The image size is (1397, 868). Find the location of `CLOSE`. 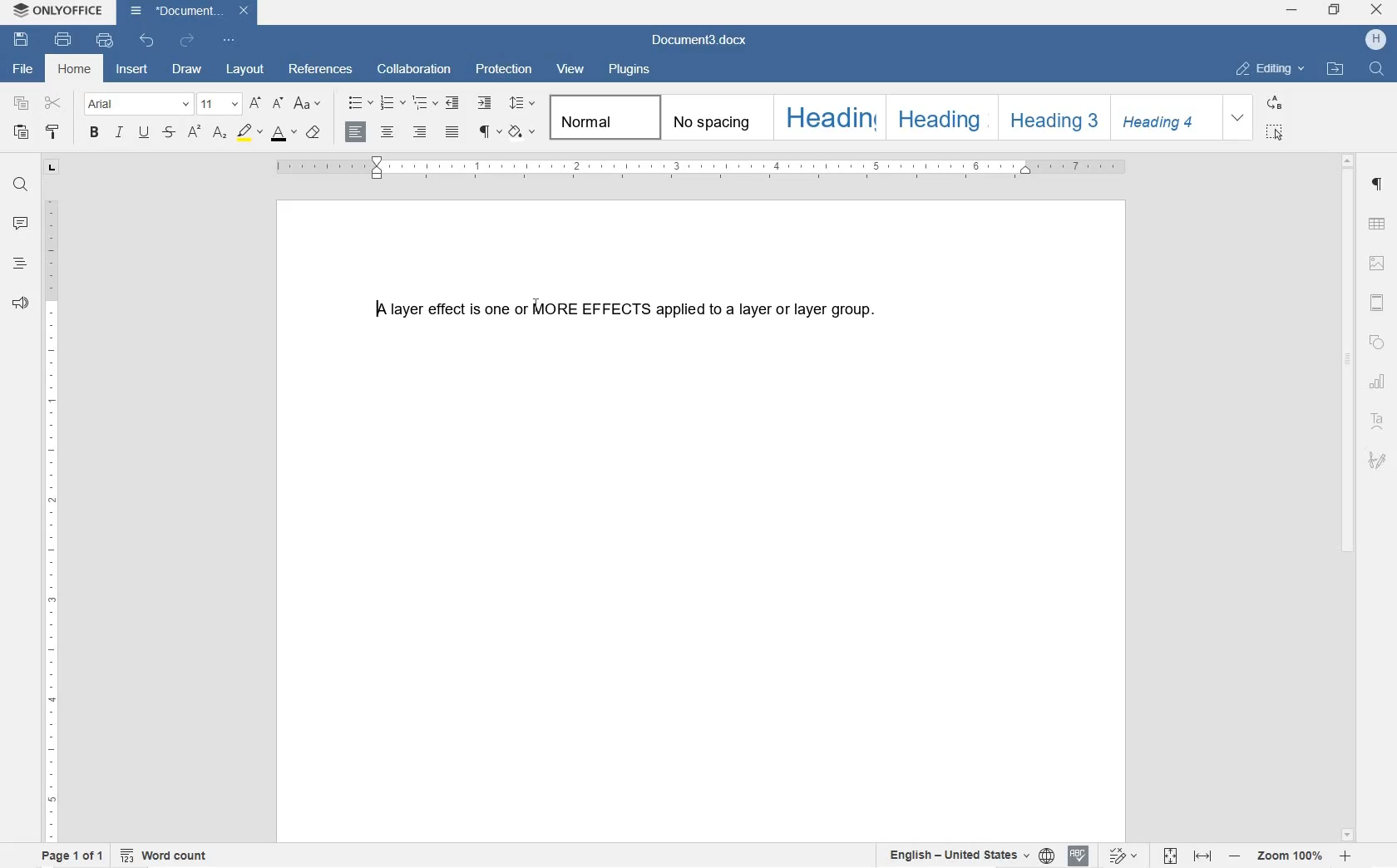

CLOSE is located at coordinates (1377, 12).